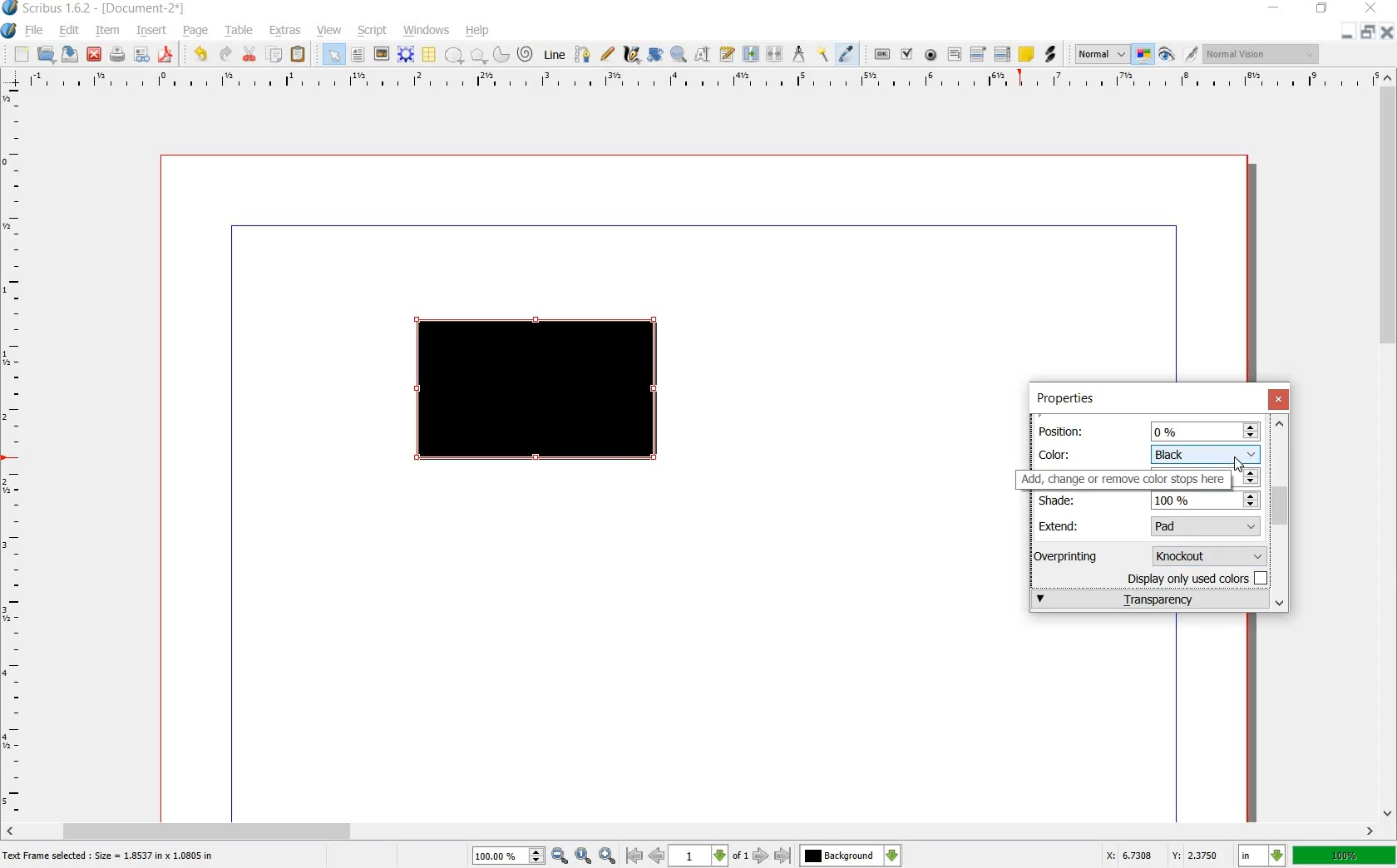 Image resolution: width=1397 pixels, height=868 pixels. Describe the element at coordinates (70, 31) in the screenshot. I see `edit` at that location.